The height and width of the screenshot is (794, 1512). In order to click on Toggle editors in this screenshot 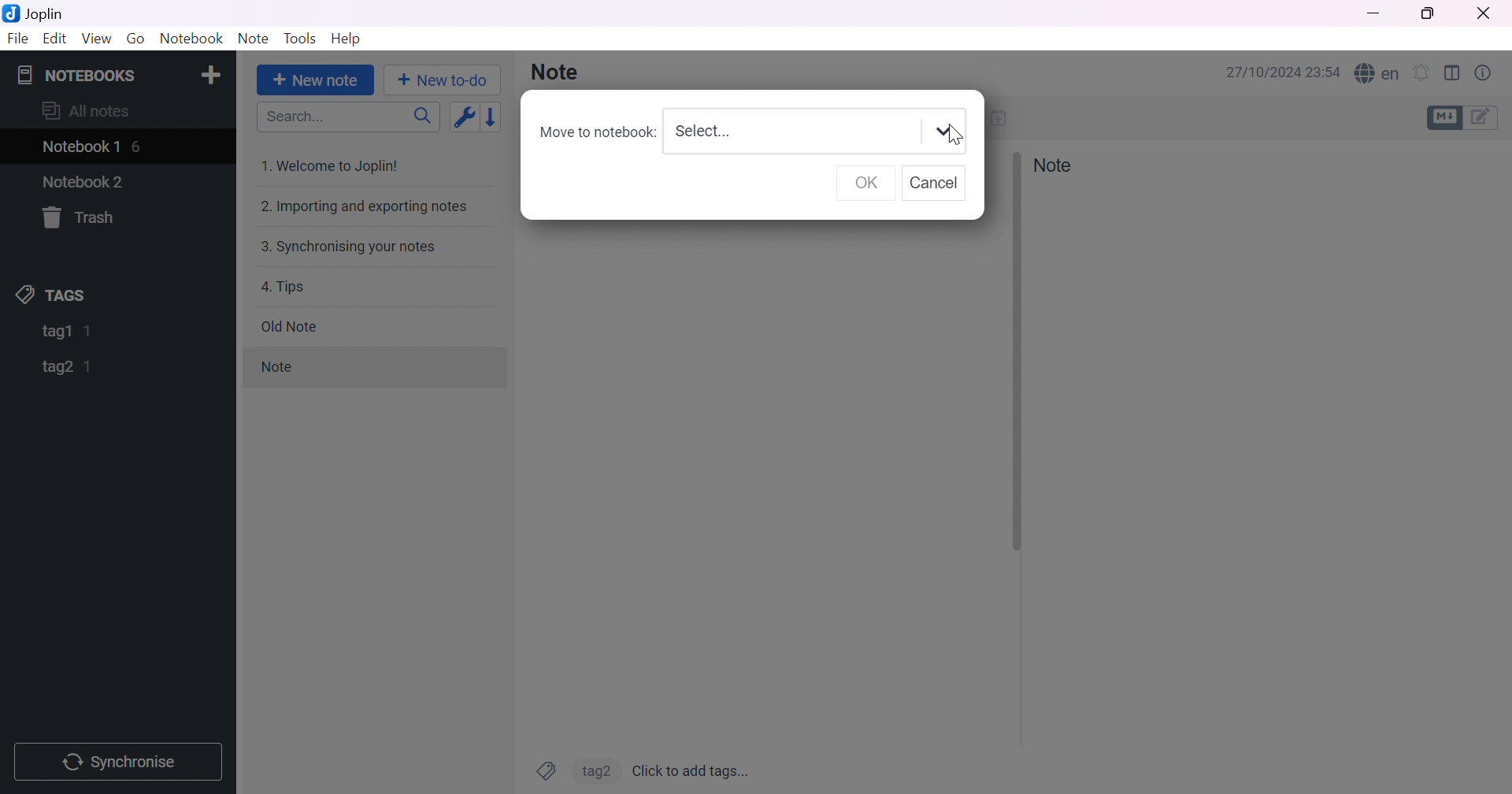, I will do `click(1466, 117)`.